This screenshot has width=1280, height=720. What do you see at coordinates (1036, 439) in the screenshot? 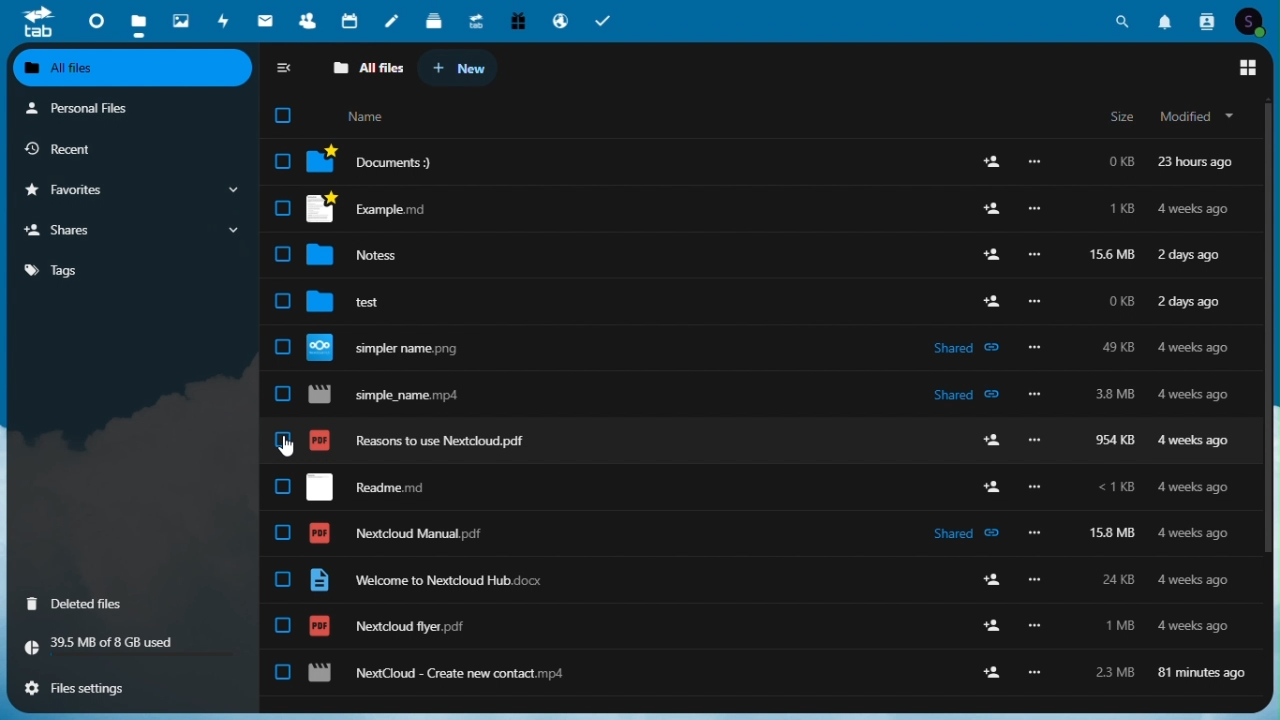
I see `more options` at bounding box center [1036, 439].